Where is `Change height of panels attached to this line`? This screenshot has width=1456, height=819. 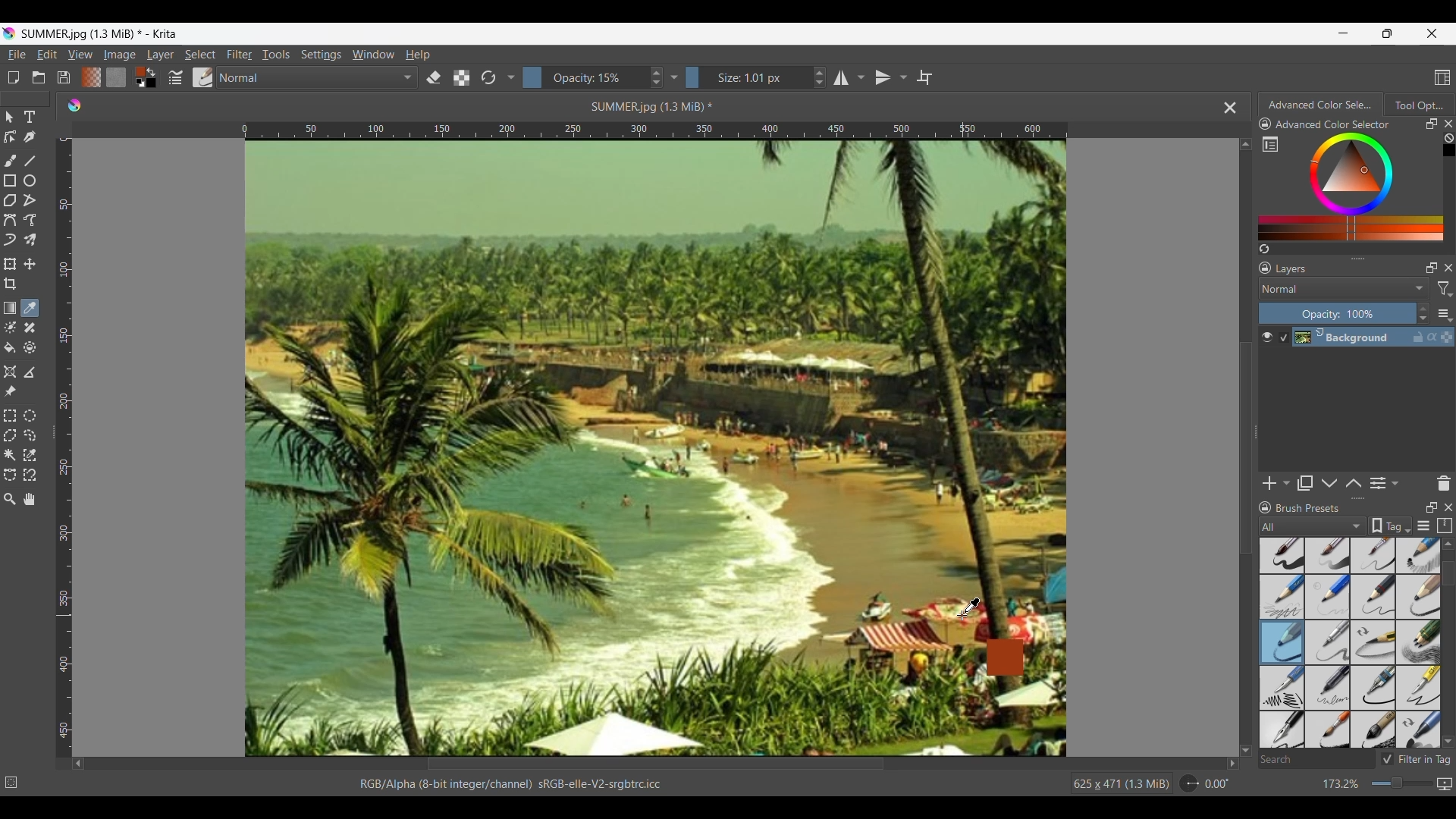 Change height of panels attached to this line is located at coordinates (1358, 498).